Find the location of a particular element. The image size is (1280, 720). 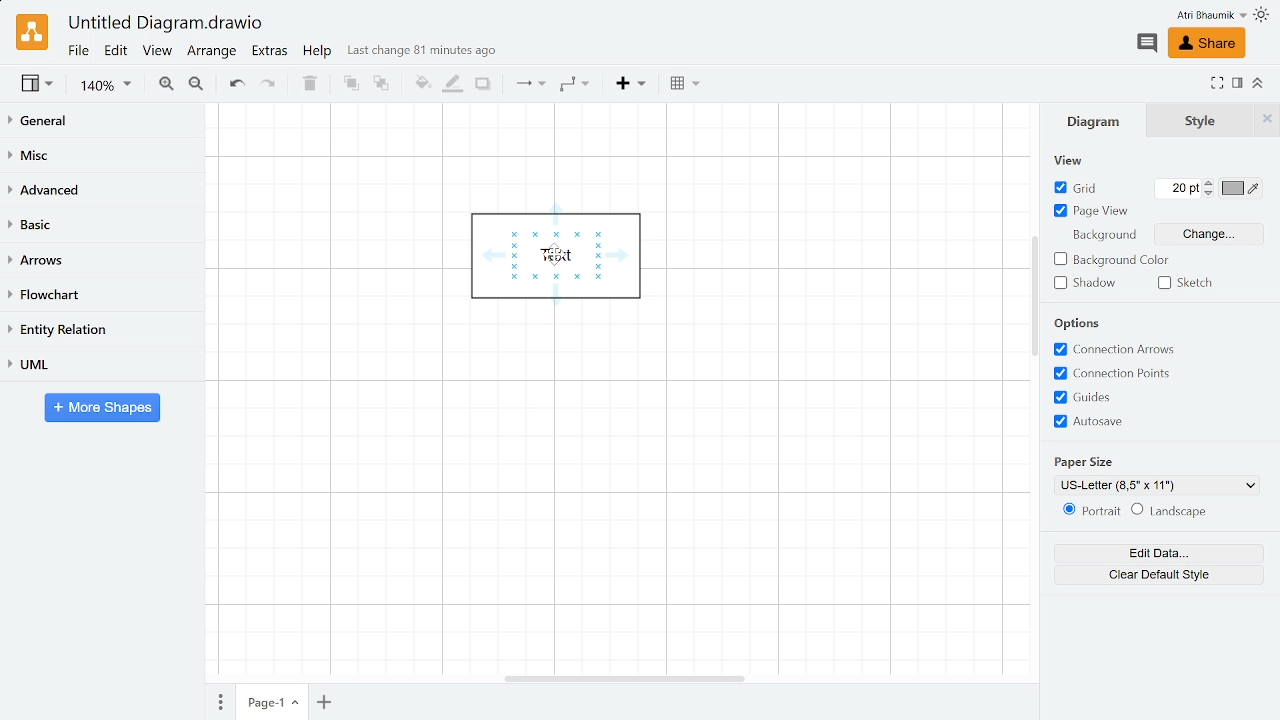

To front is located at coordinates (348, 85).